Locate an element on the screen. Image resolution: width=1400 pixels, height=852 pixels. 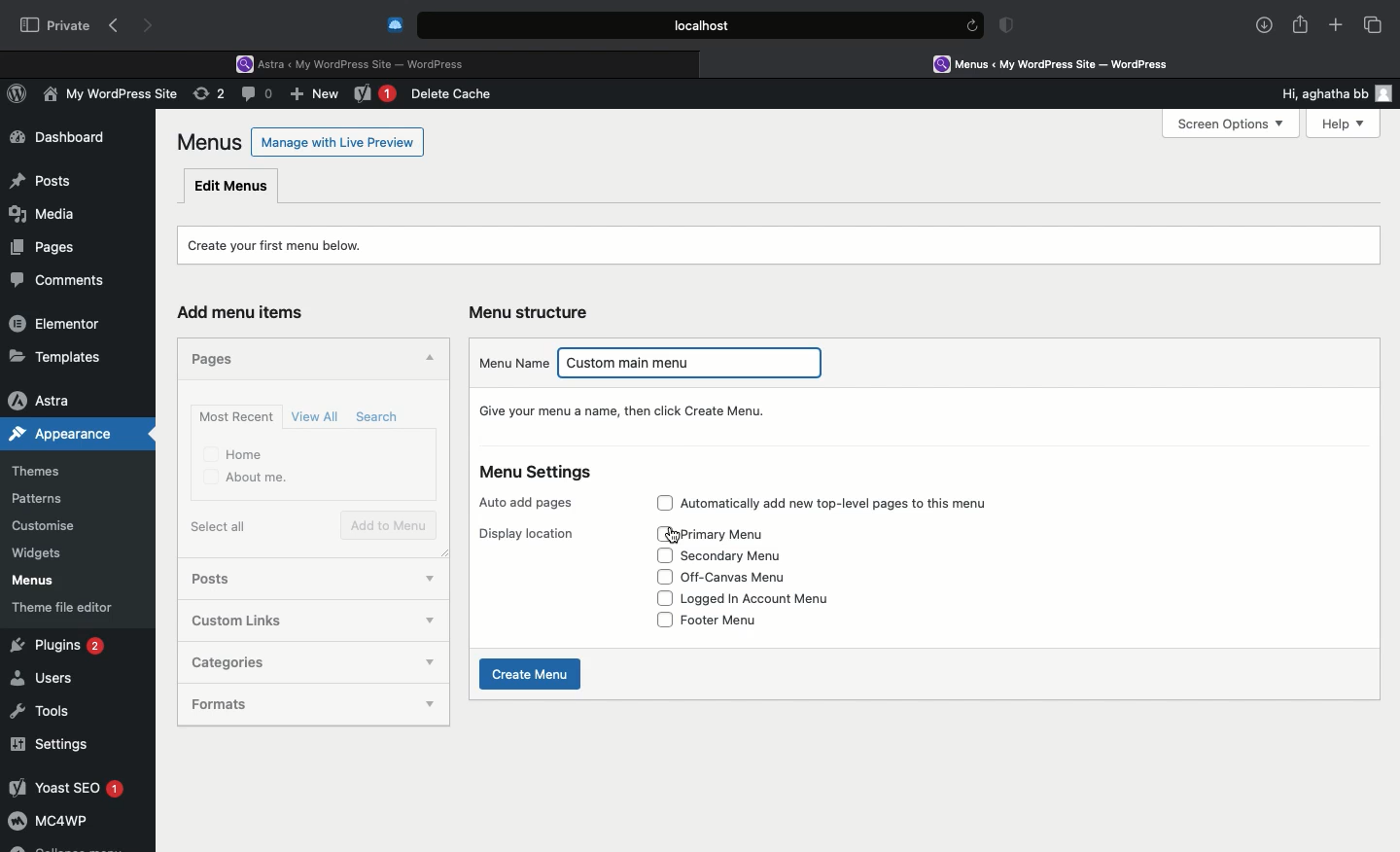
Help is located at coordinates (1335, 124).